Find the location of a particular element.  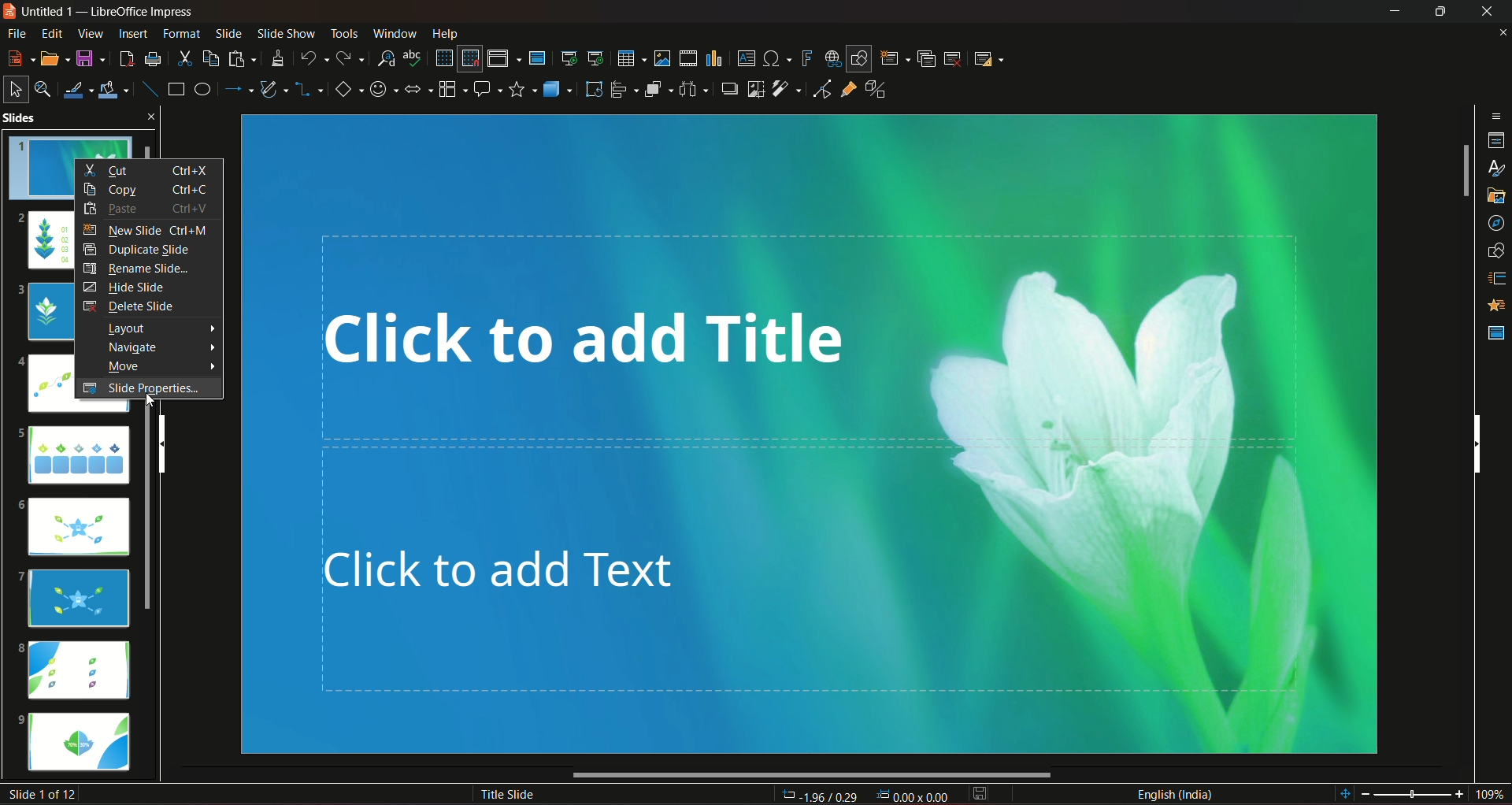

rotate is located at coordinates (592, 88).